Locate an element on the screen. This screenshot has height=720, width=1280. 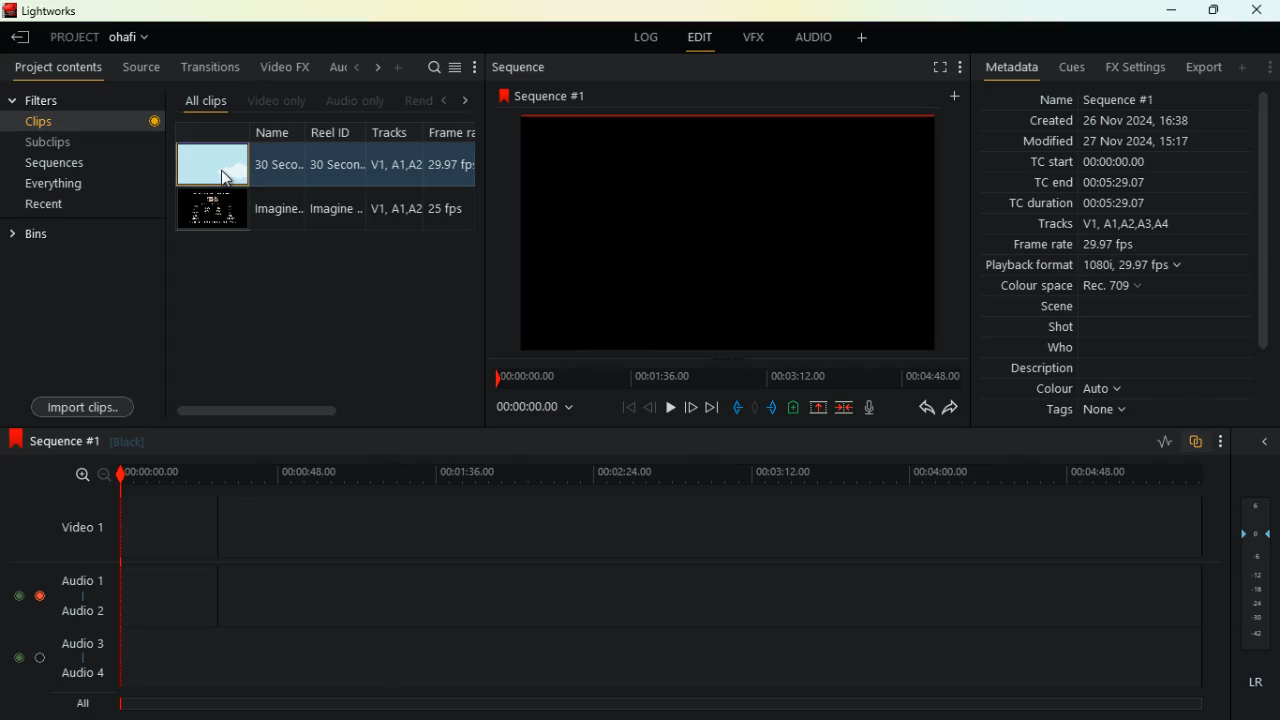
more is located at coordinates (958, 69).